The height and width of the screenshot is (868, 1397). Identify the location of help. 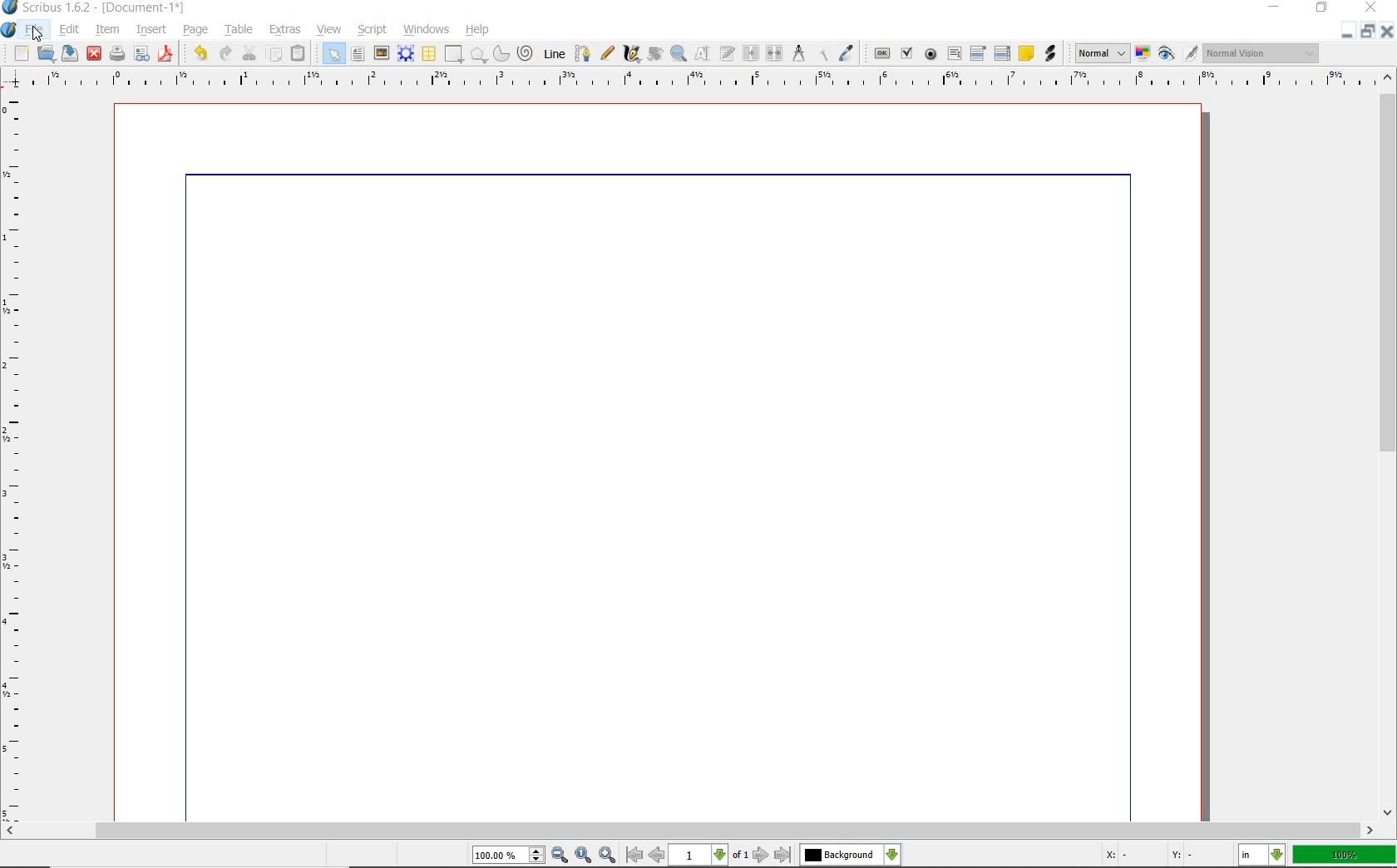
(480, 28).